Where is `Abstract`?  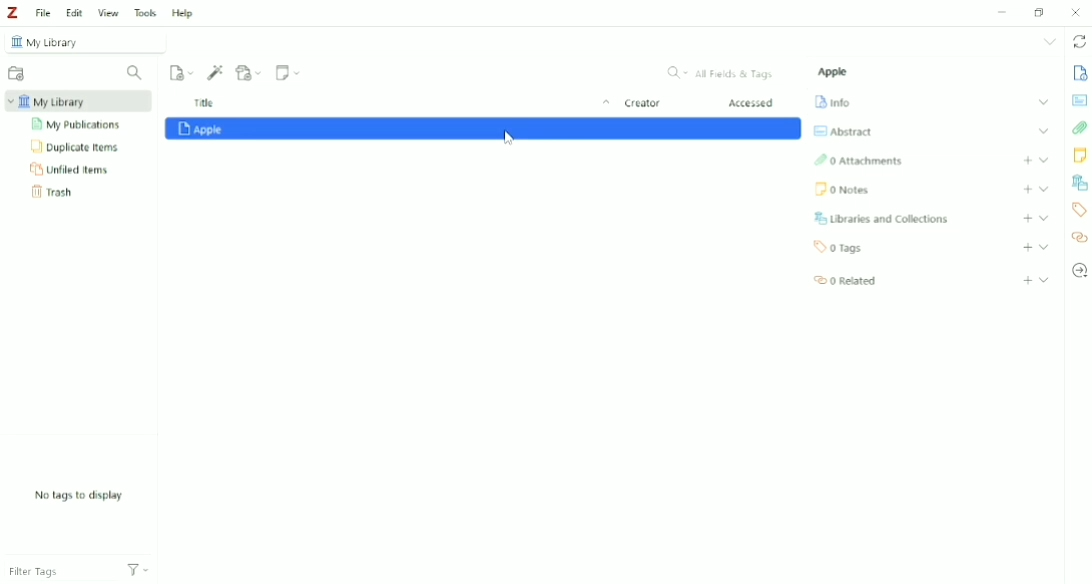 Abstract is located at coordinates (1080, 101).